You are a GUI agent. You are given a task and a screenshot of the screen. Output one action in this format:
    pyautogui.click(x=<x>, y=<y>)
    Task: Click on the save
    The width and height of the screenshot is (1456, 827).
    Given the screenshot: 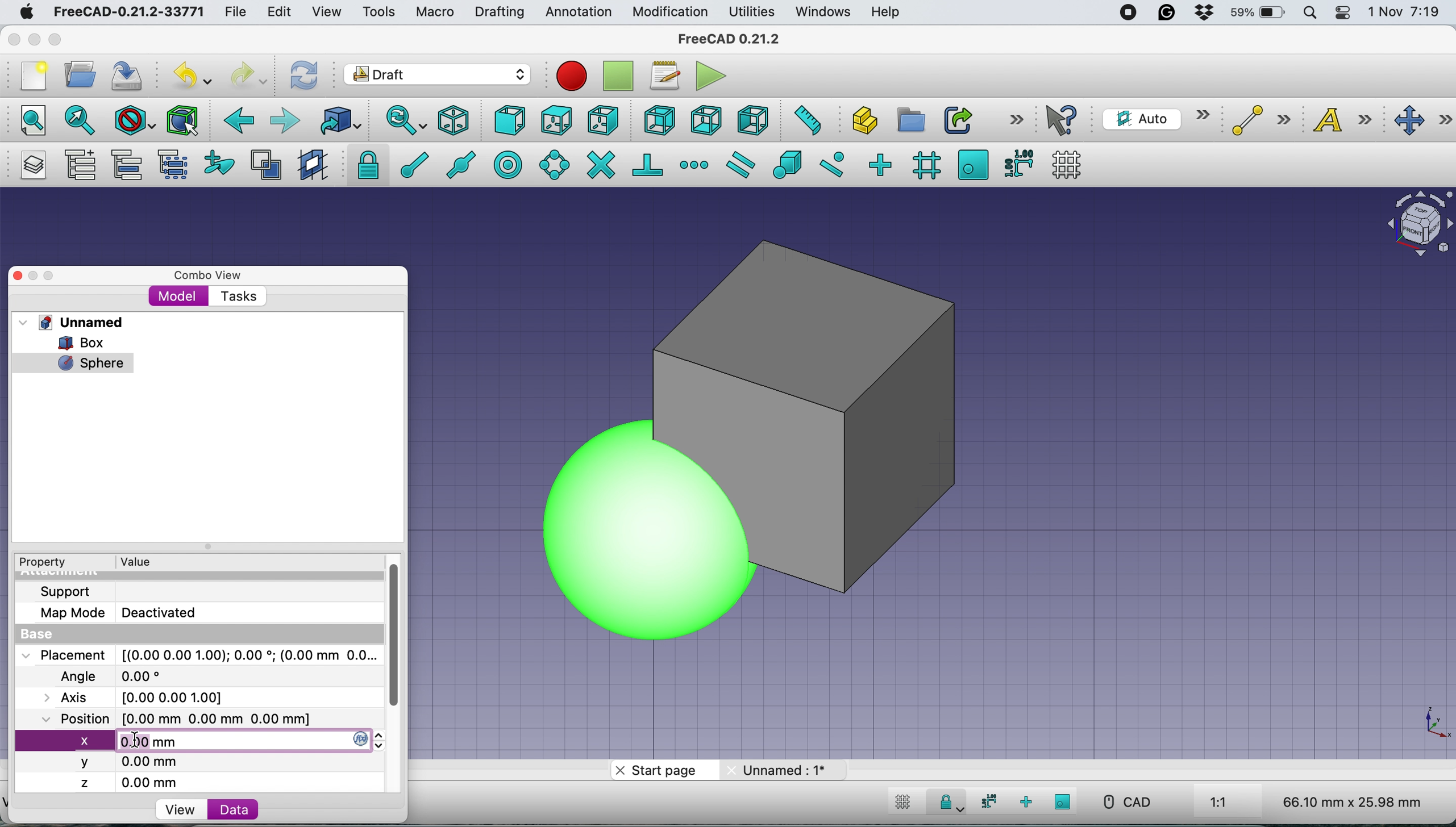 What is the action you would take?
    pyautogui.click(x=128, y=76)
    